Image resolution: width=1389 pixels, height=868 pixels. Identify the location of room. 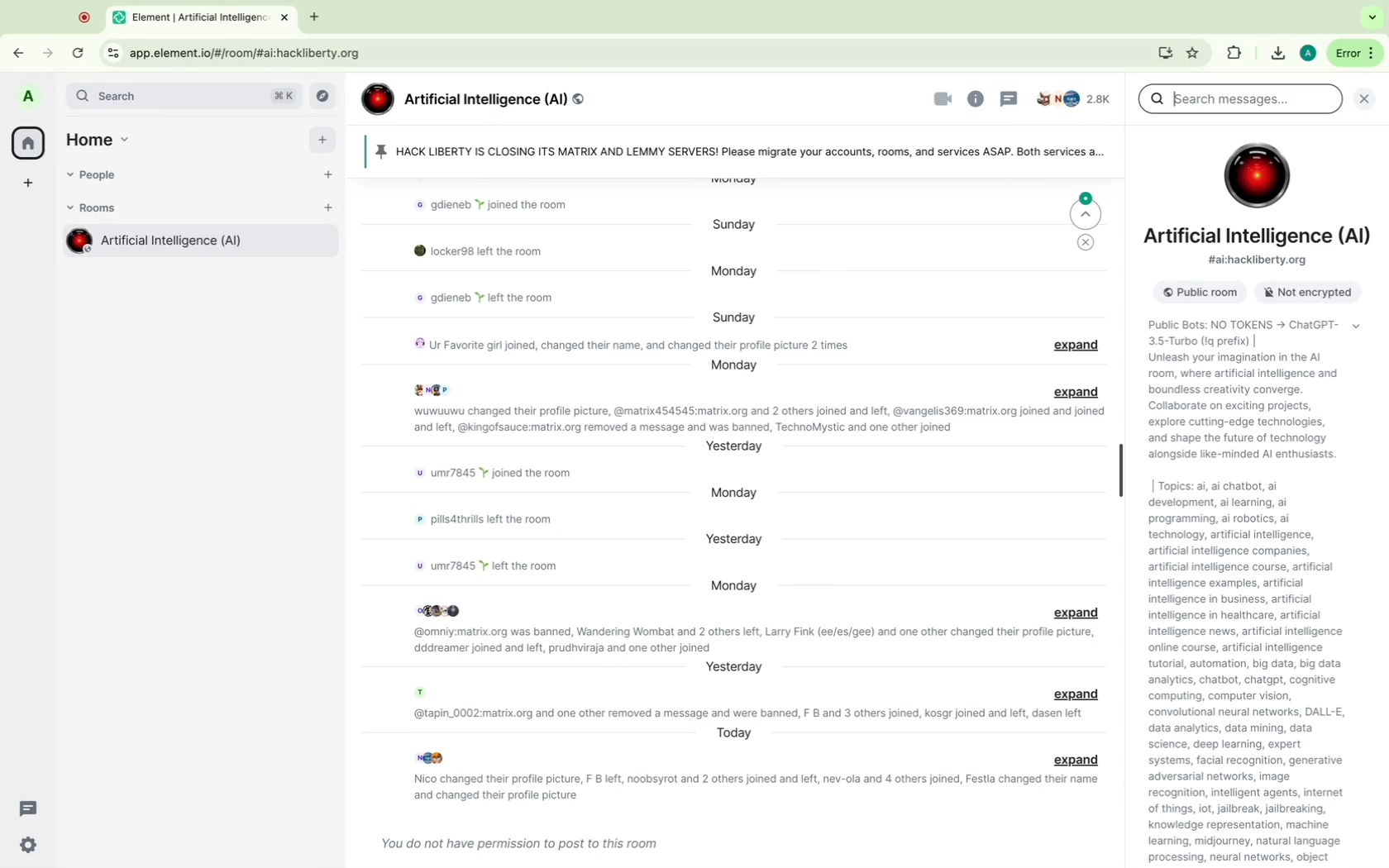
(197, 244).